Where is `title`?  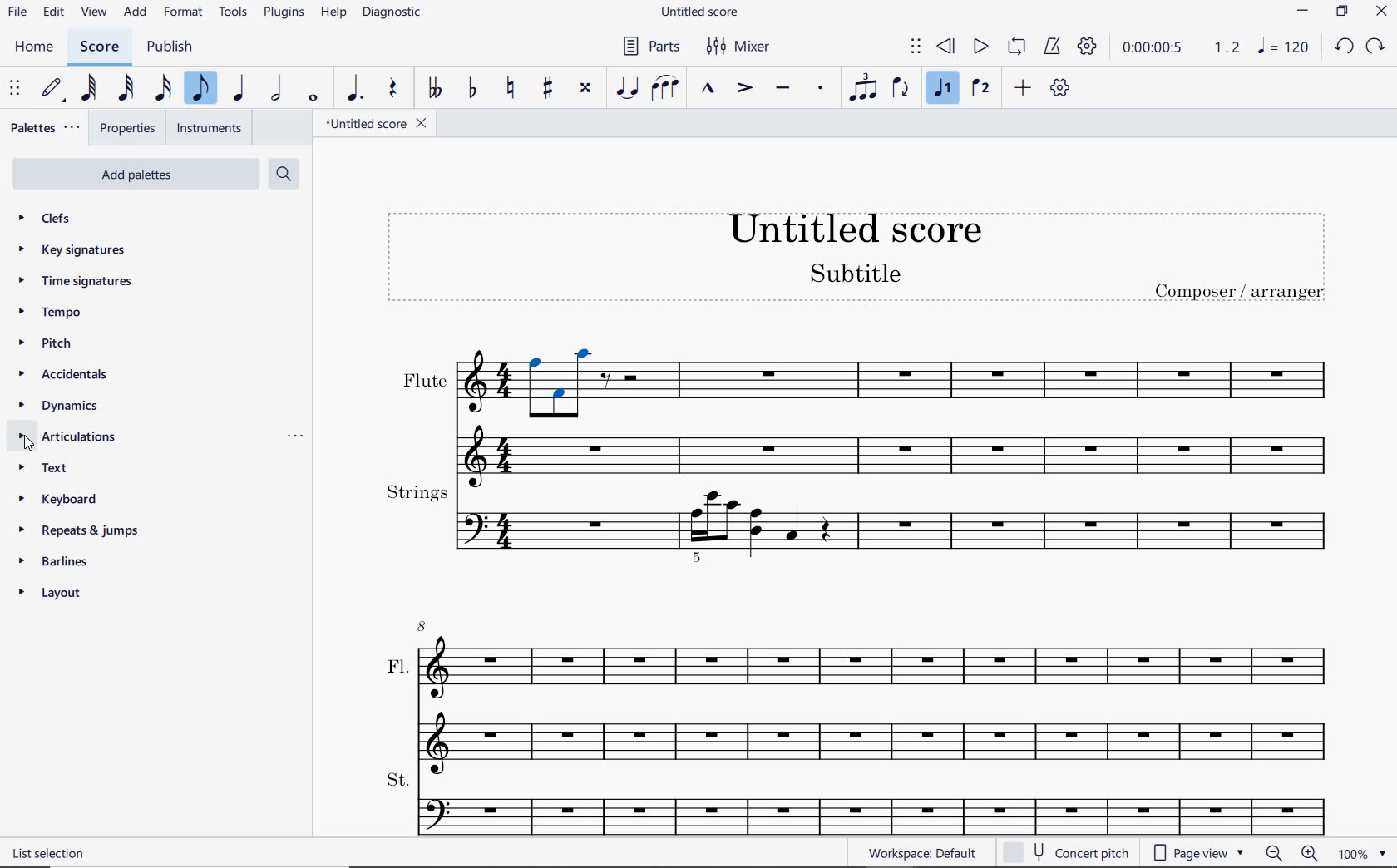 title is located at coordinates (861, 263).